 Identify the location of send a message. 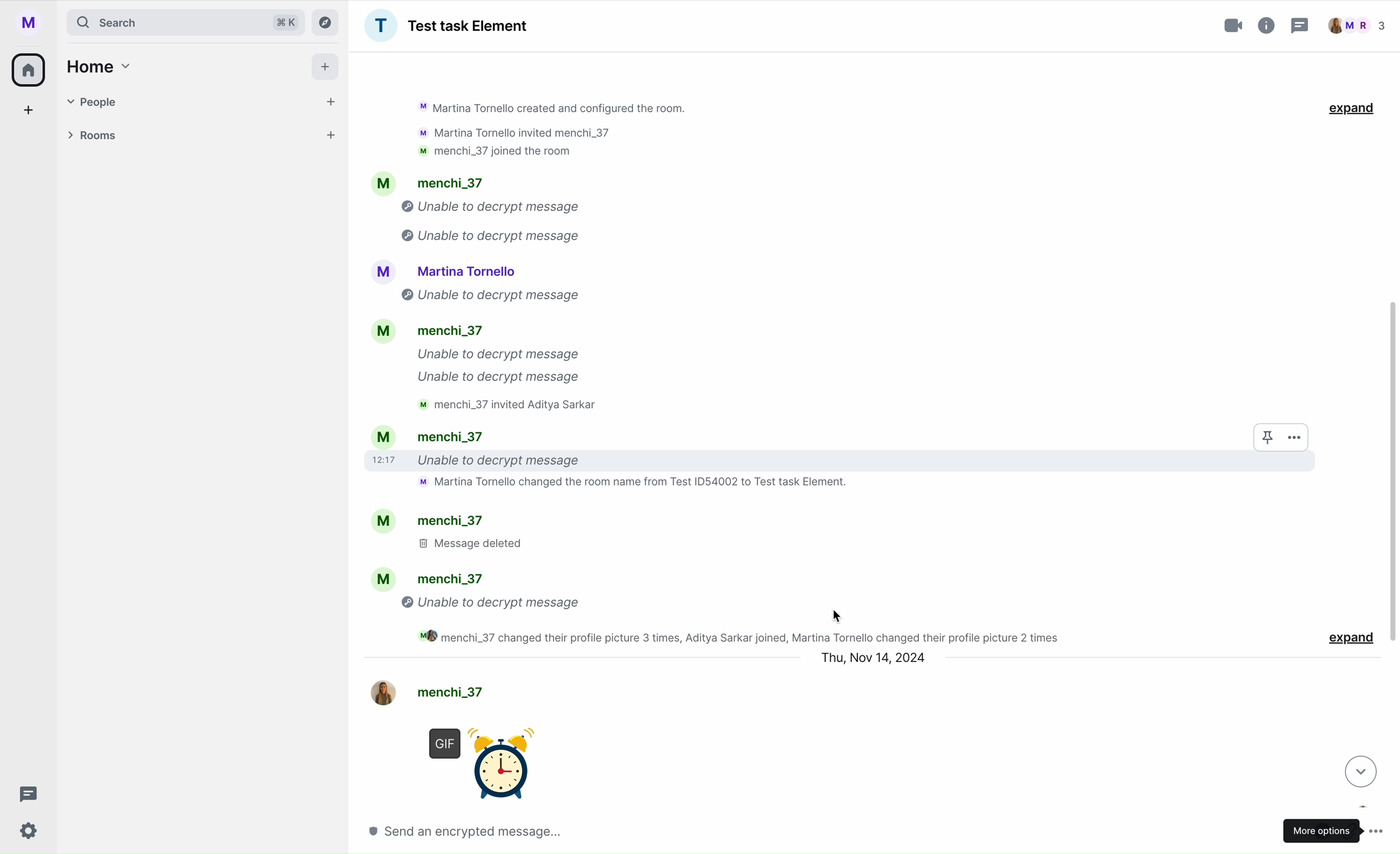
(489, 831).